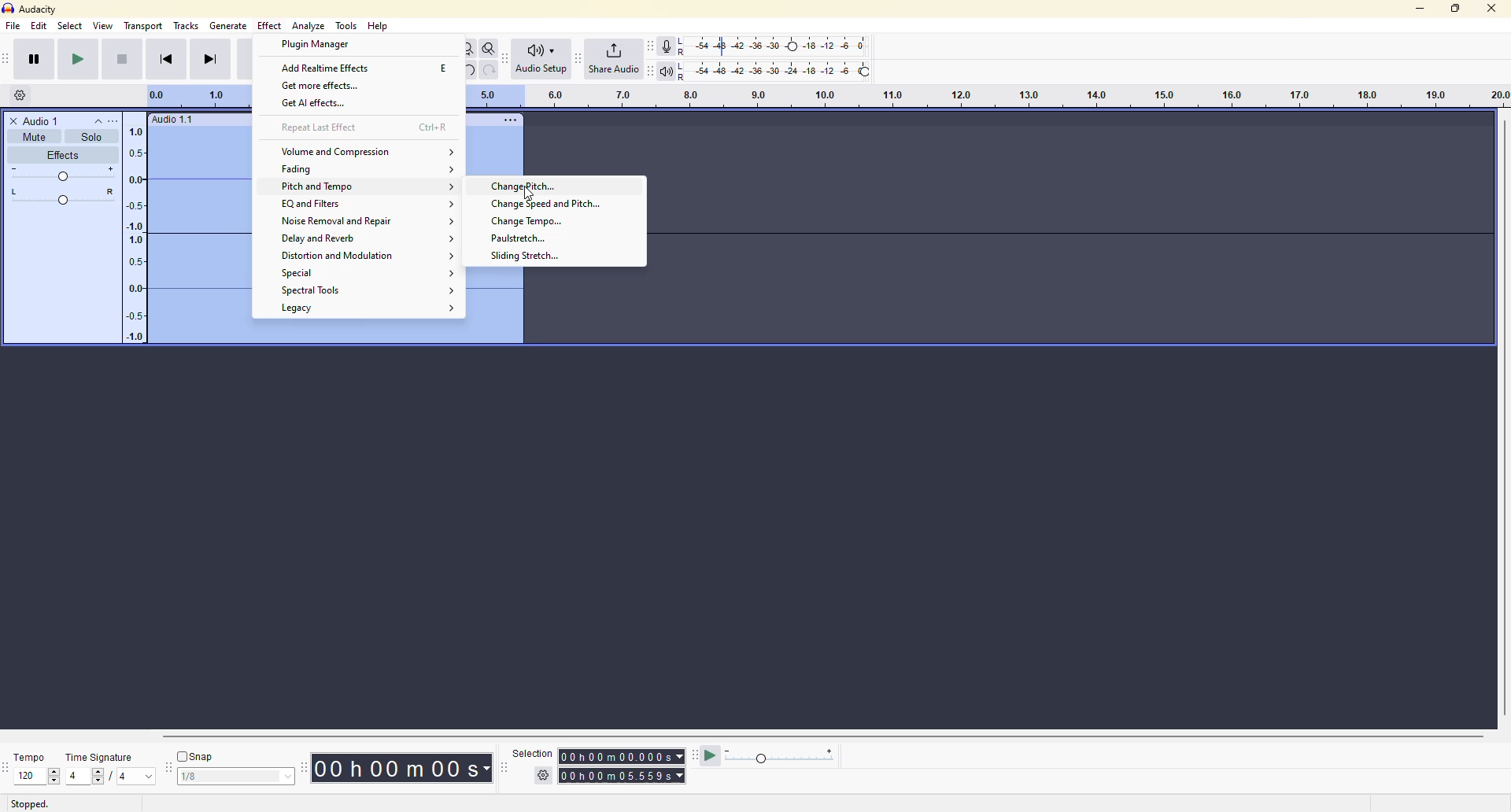 Image resolution: width=1511 pixels, height=812 pixels. I want to click on time, so click(621, 775).